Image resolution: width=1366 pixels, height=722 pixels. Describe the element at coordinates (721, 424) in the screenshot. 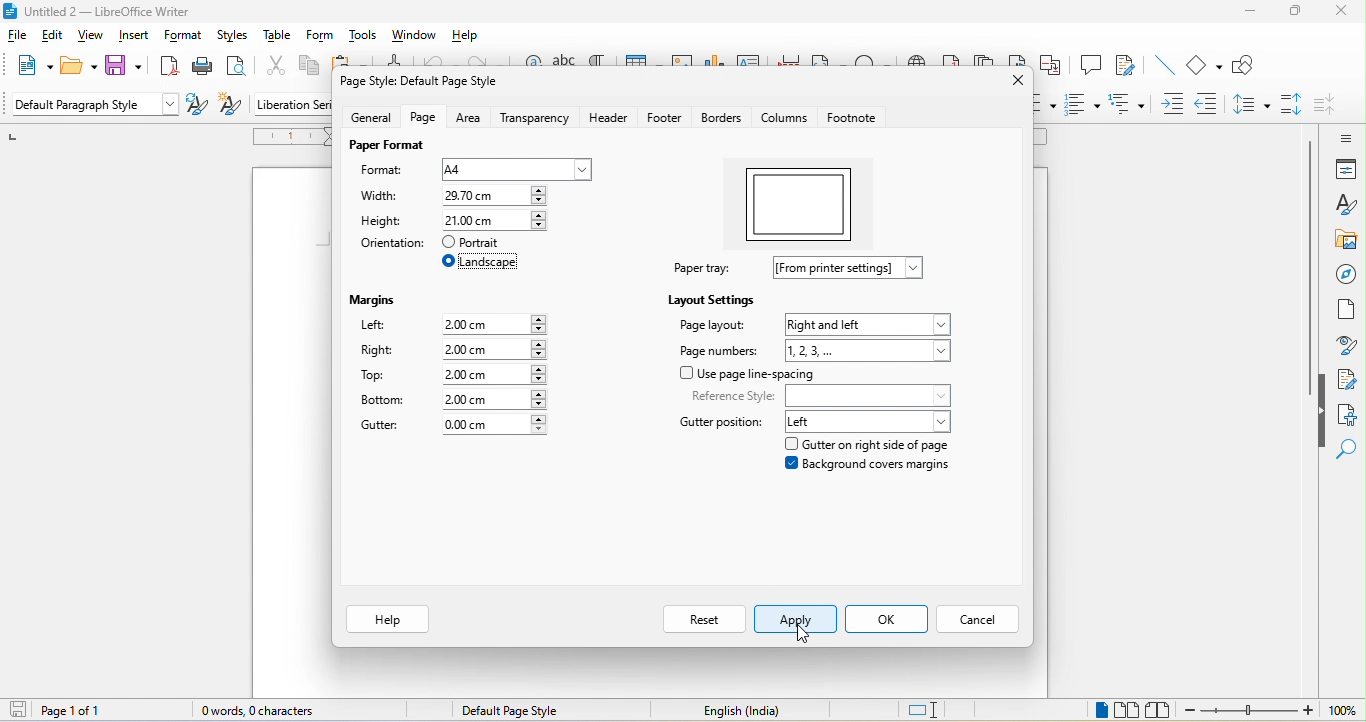

I see `gutter position` at that location.